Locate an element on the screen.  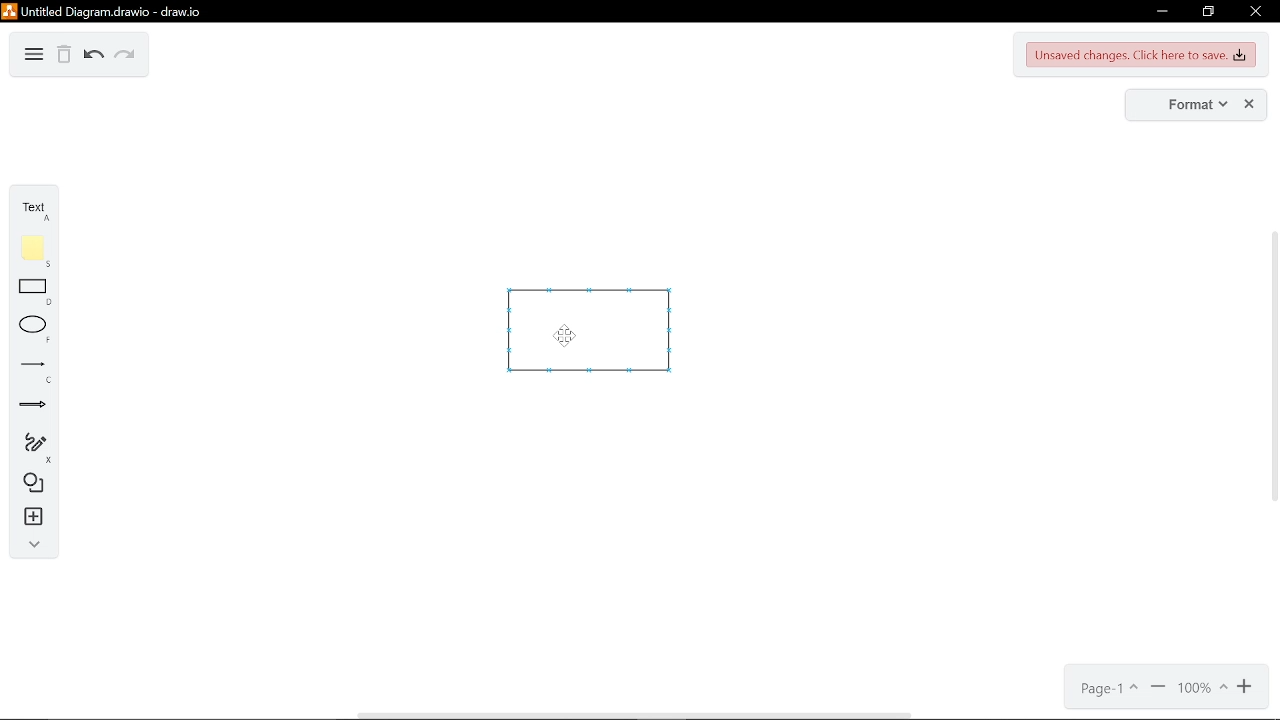
shapes is located at coordinates (36, 485).